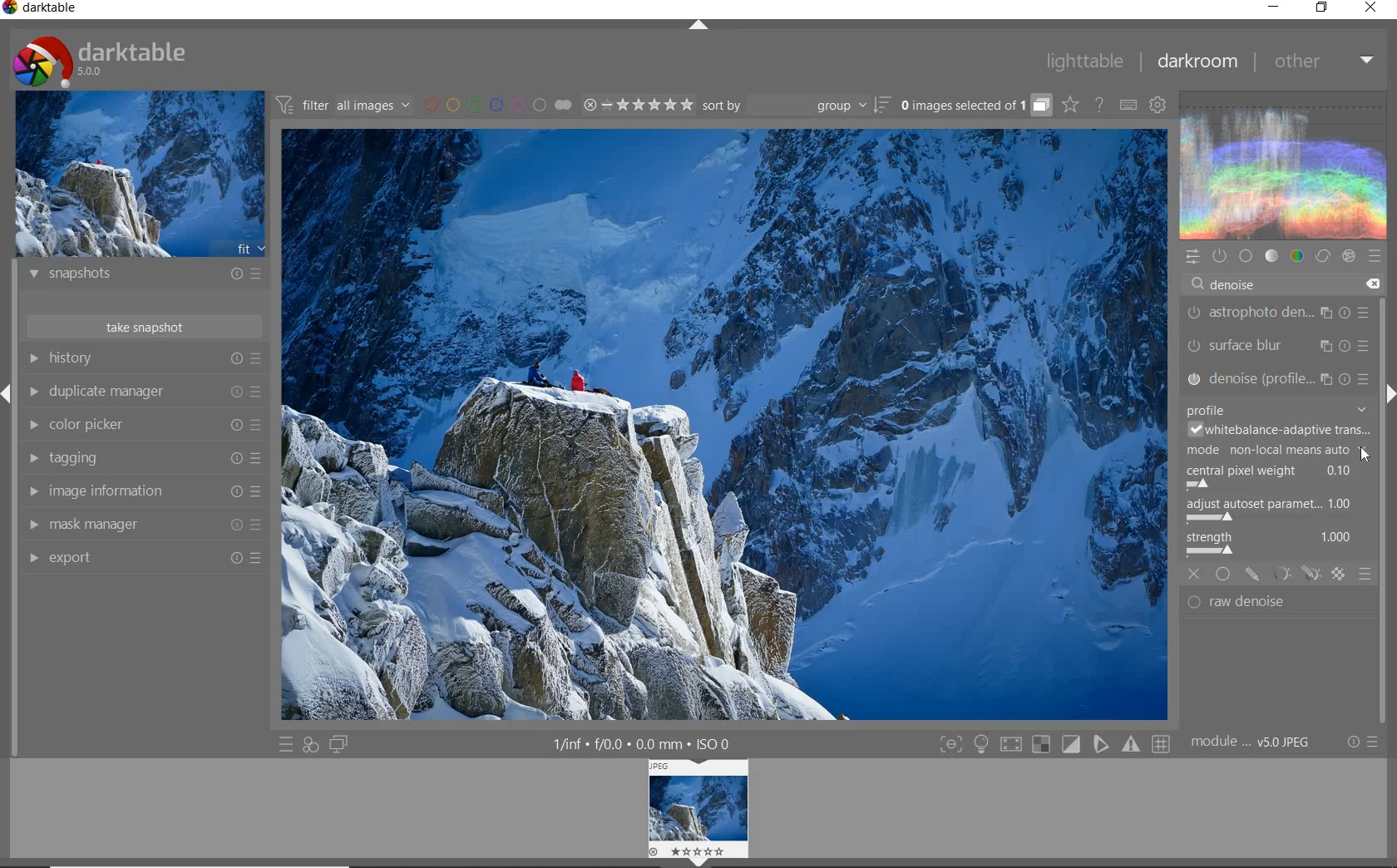  What do you see at coordinates (1069, 106) in the screenshot?
I see `click to change overlays on thumbnails` at bounding box center [1069, 106].